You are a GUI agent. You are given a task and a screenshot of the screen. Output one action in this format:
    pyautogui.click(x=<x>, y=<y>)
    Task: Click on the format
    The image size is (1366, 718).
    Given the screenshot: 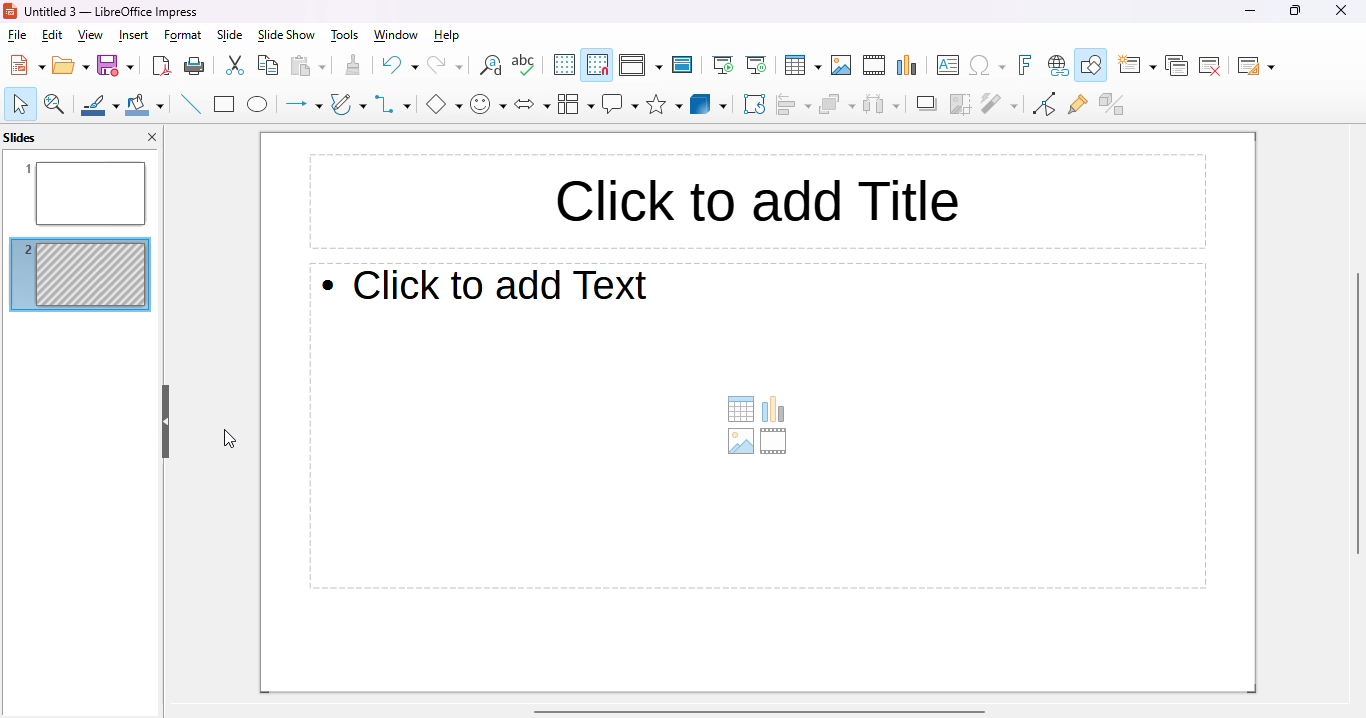 What is the action you would take?
    pyautogui.click(x=182, y=36)
    